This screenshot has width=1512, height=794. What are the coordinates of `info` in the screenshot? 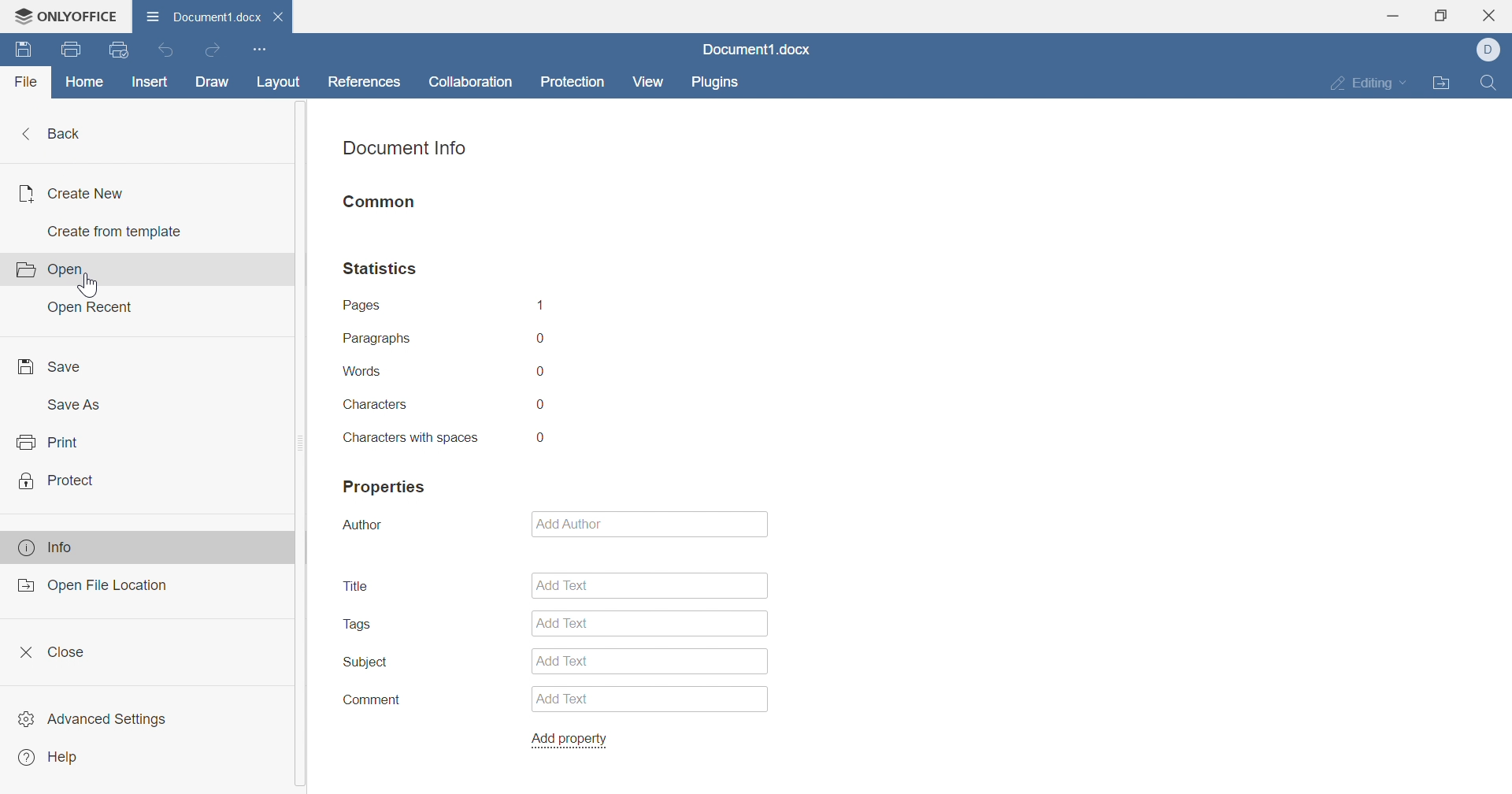 It's located at (54, 547).